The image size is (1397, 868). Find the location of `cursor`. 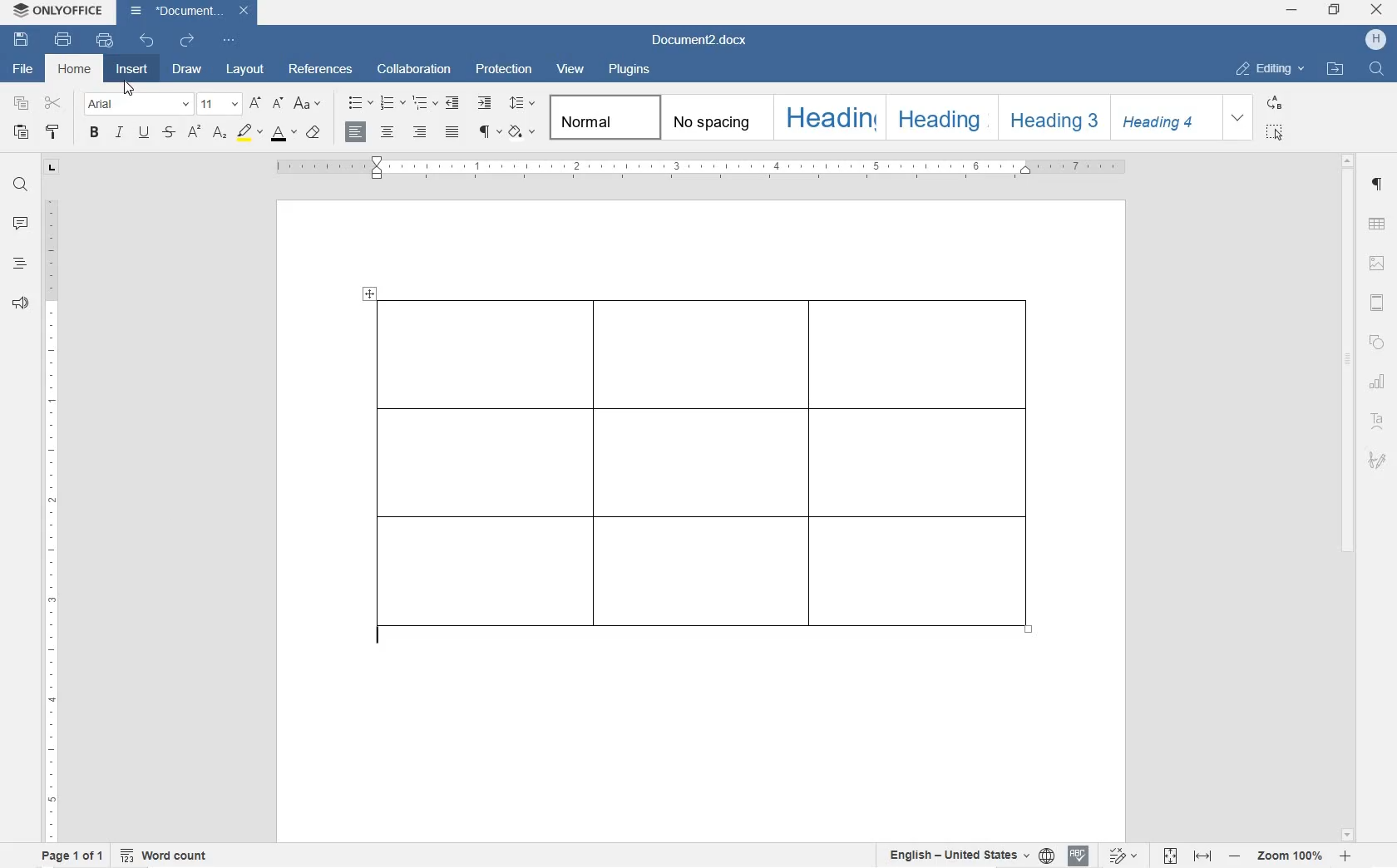

cursor is located at coordinates (128, 87).